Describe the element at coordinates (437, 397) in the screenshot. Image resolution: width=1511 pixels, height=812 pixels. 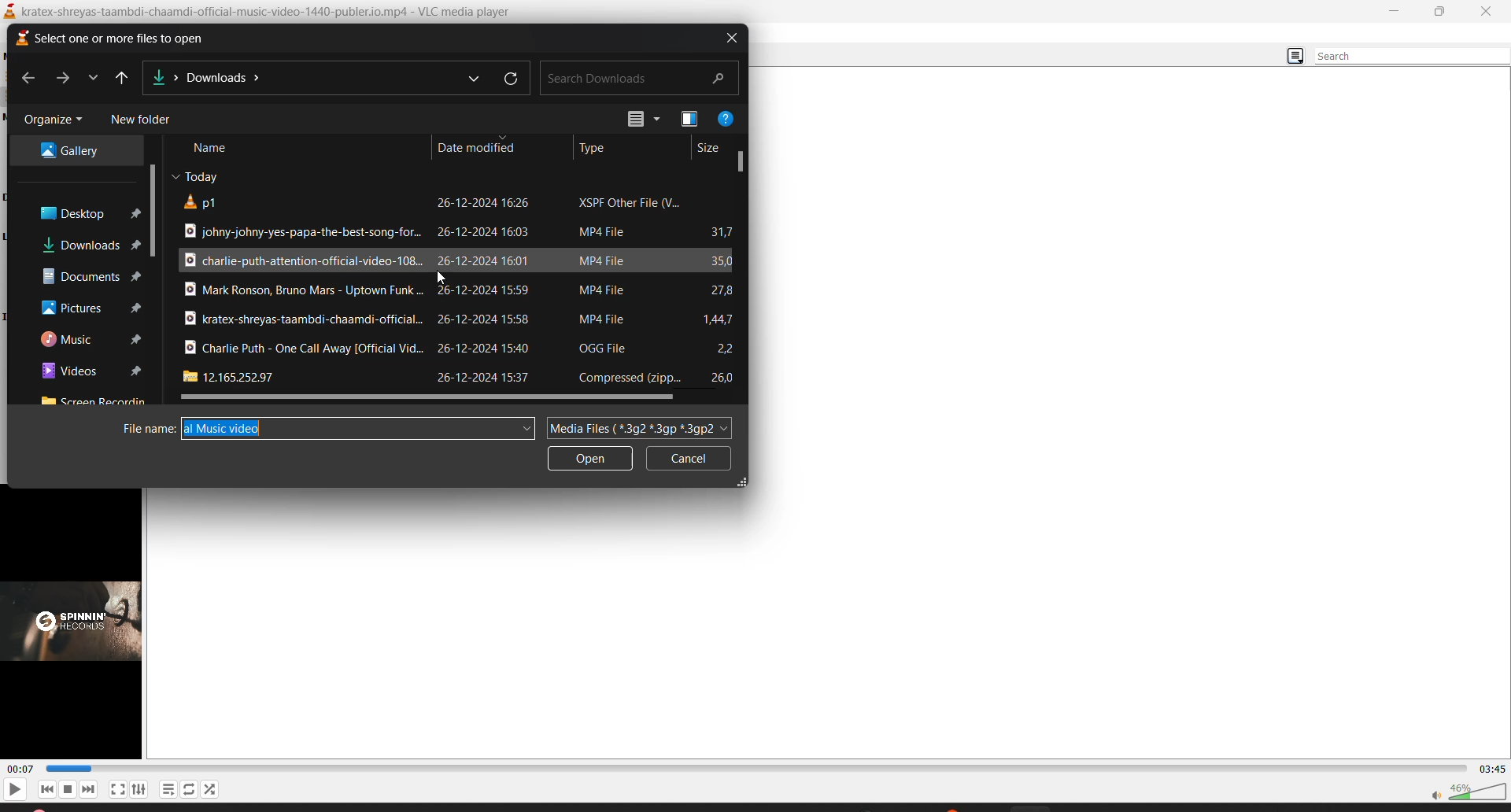
I see `horizontal scroll bar` at that location.